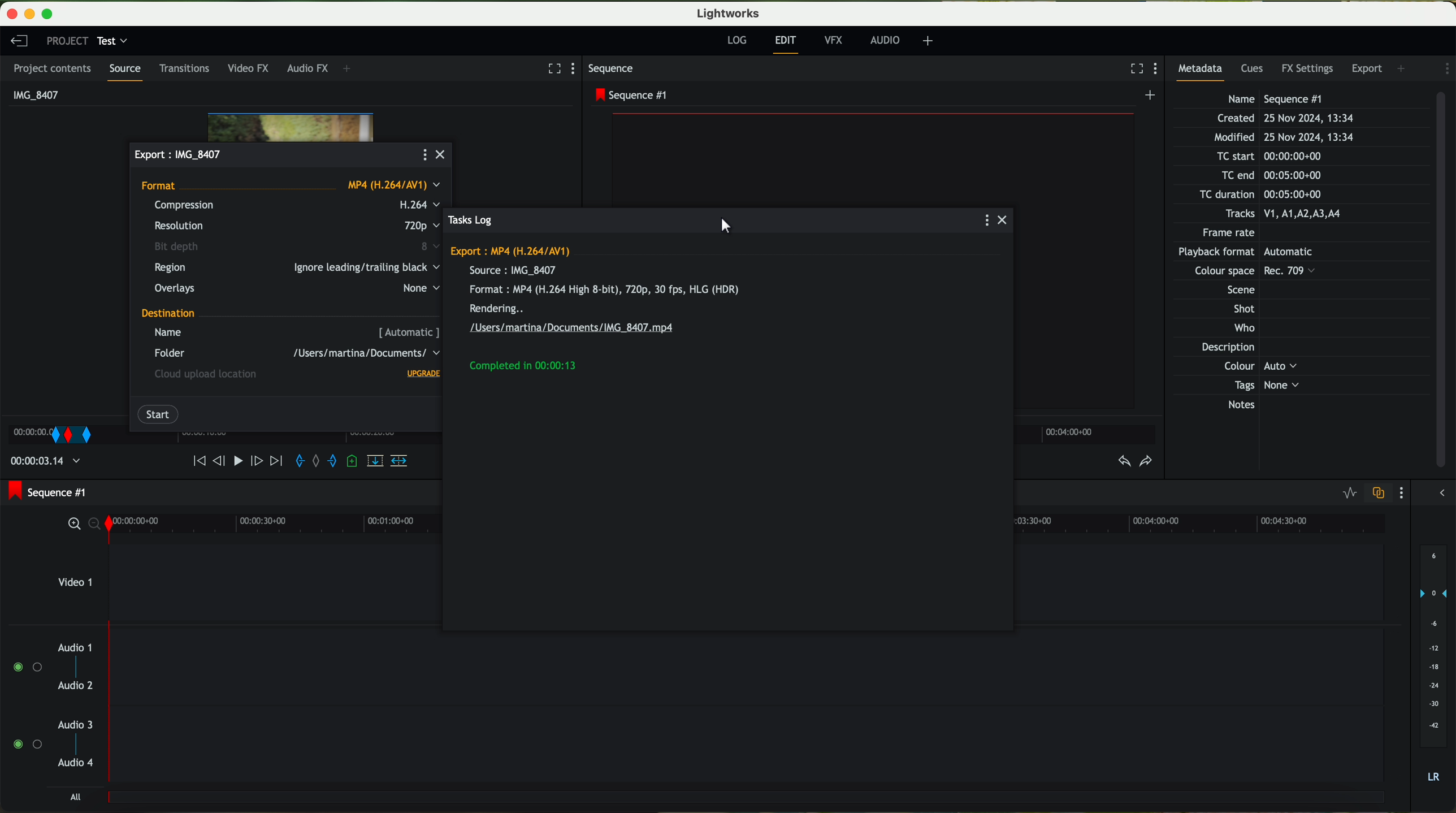 This screenshot has height=813, width=1456. I want to click on Modified, so click(1282, 138).